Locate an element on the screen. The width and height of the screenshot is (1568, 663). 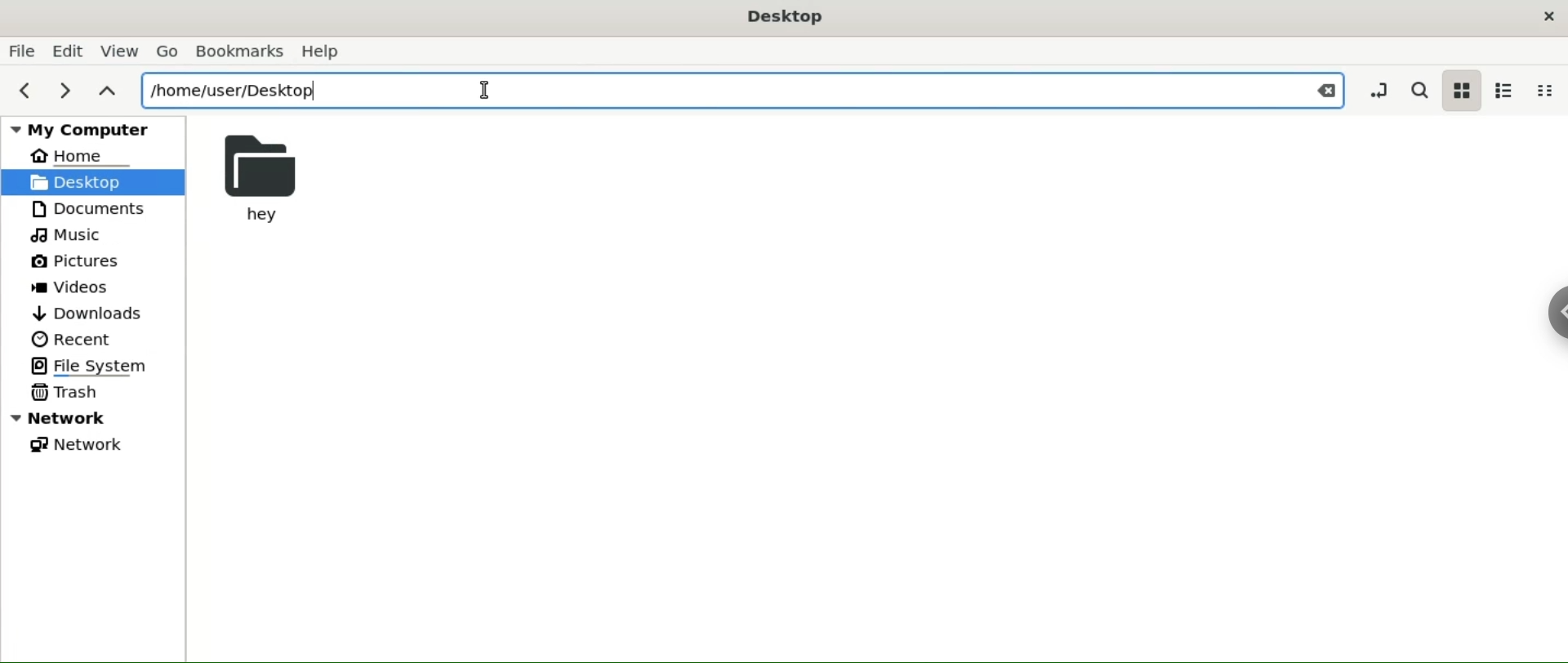
pictures is located at coordinates (75, 263).